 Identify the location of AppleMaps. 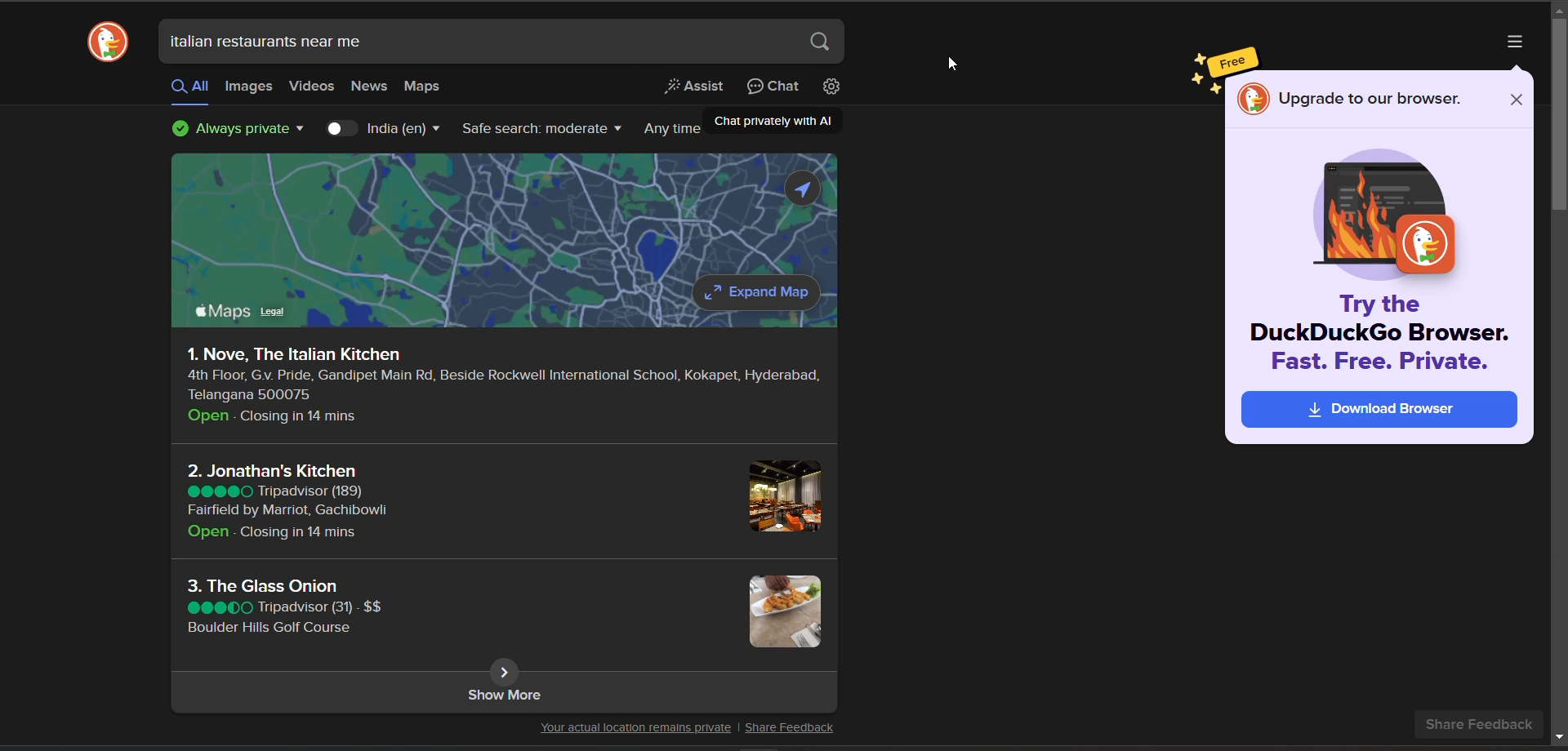
(224, 311).